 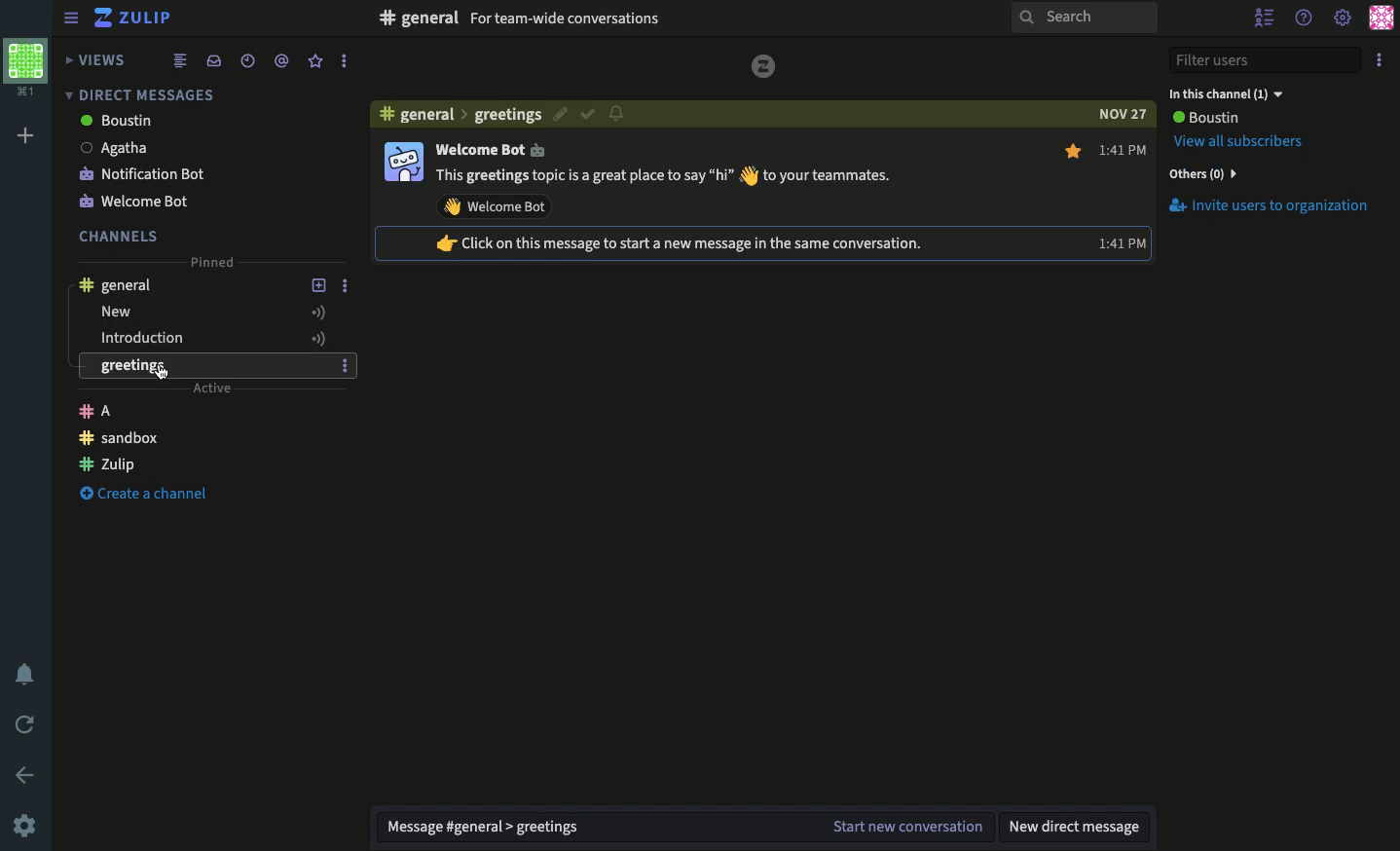 I want to click on Others, so click(x=1207, y=174).